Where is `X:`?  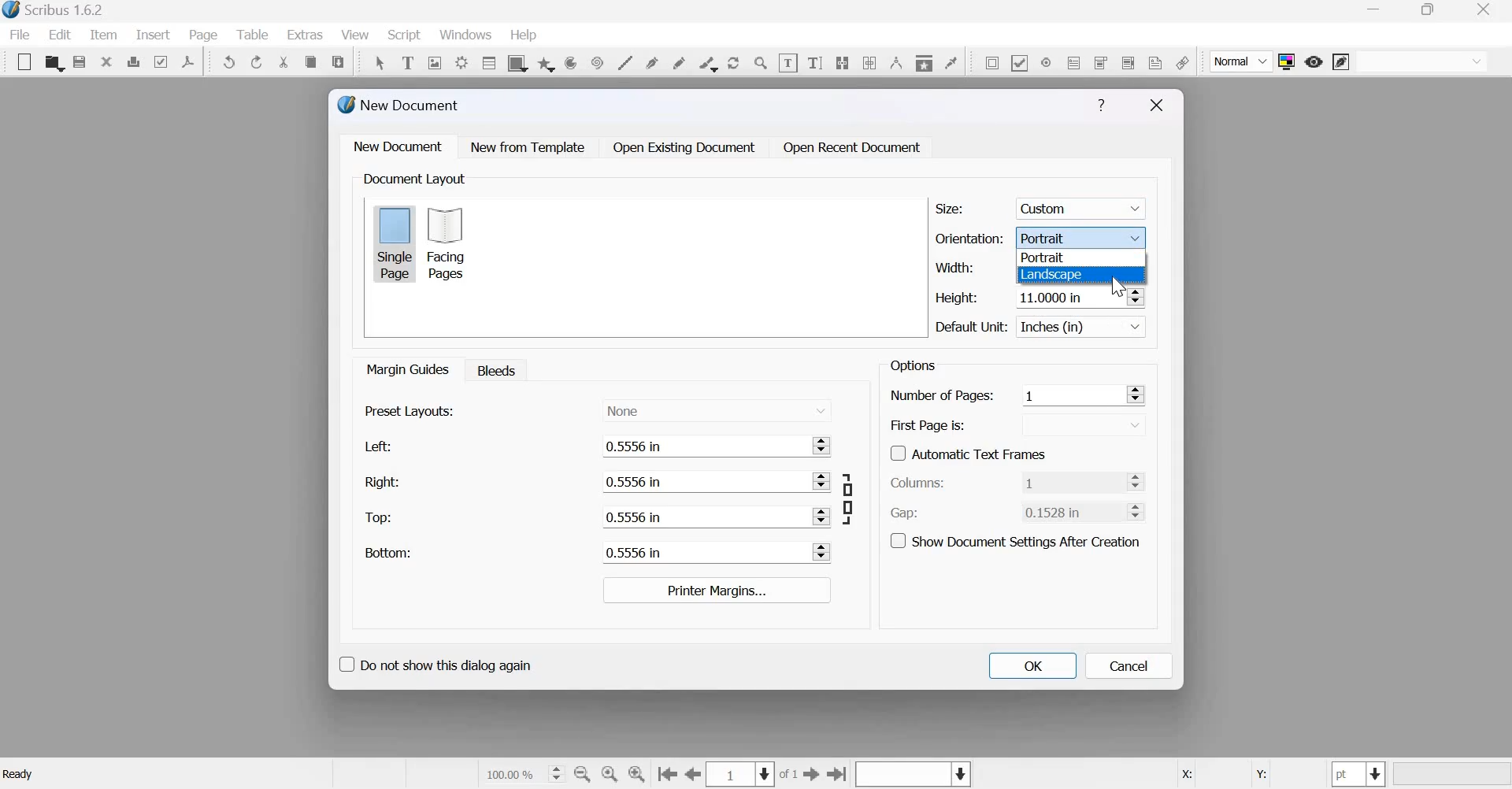 X: is located at coordinates (1185, 775).